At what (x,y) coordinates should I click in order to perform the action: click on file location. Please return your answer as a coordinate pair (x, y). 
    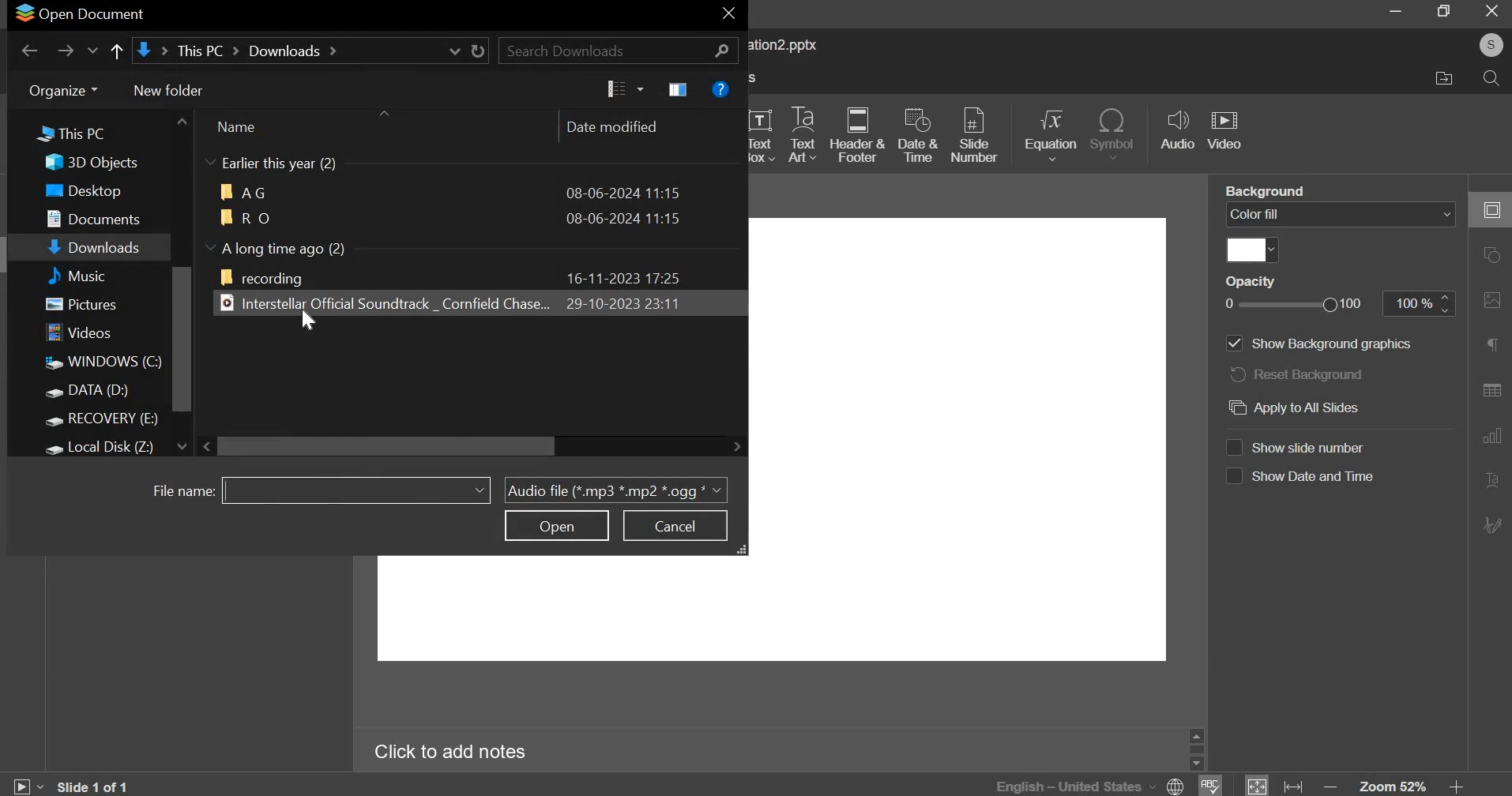
    Looking at the image, I should click on (1452, 81).